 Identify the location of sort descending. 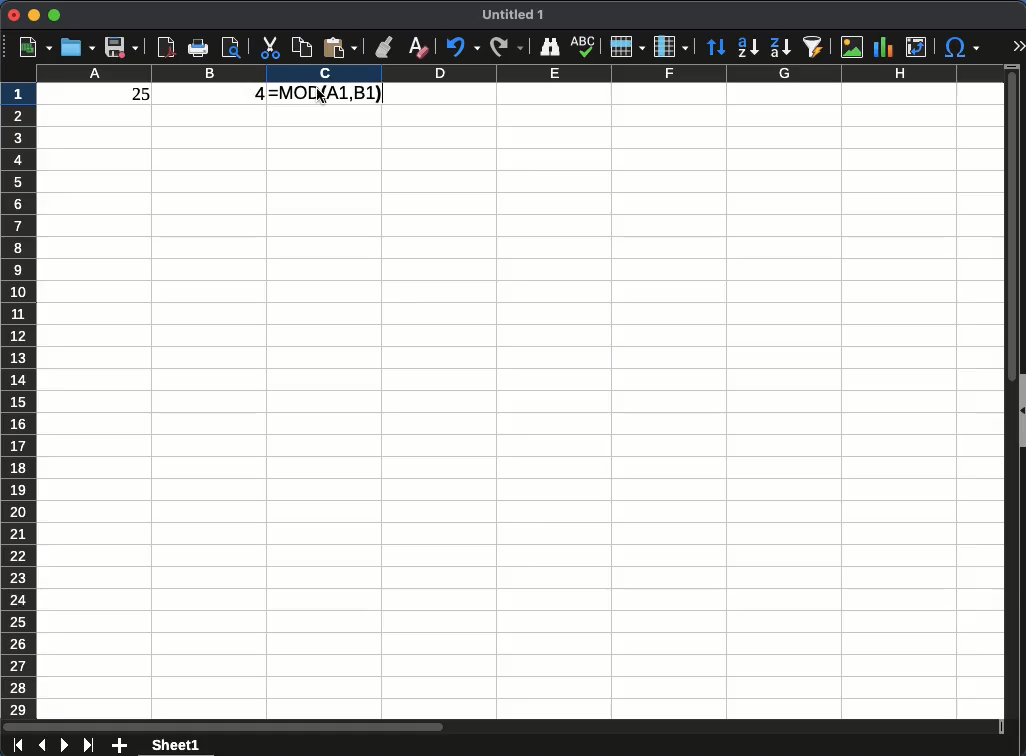
(780, 47).